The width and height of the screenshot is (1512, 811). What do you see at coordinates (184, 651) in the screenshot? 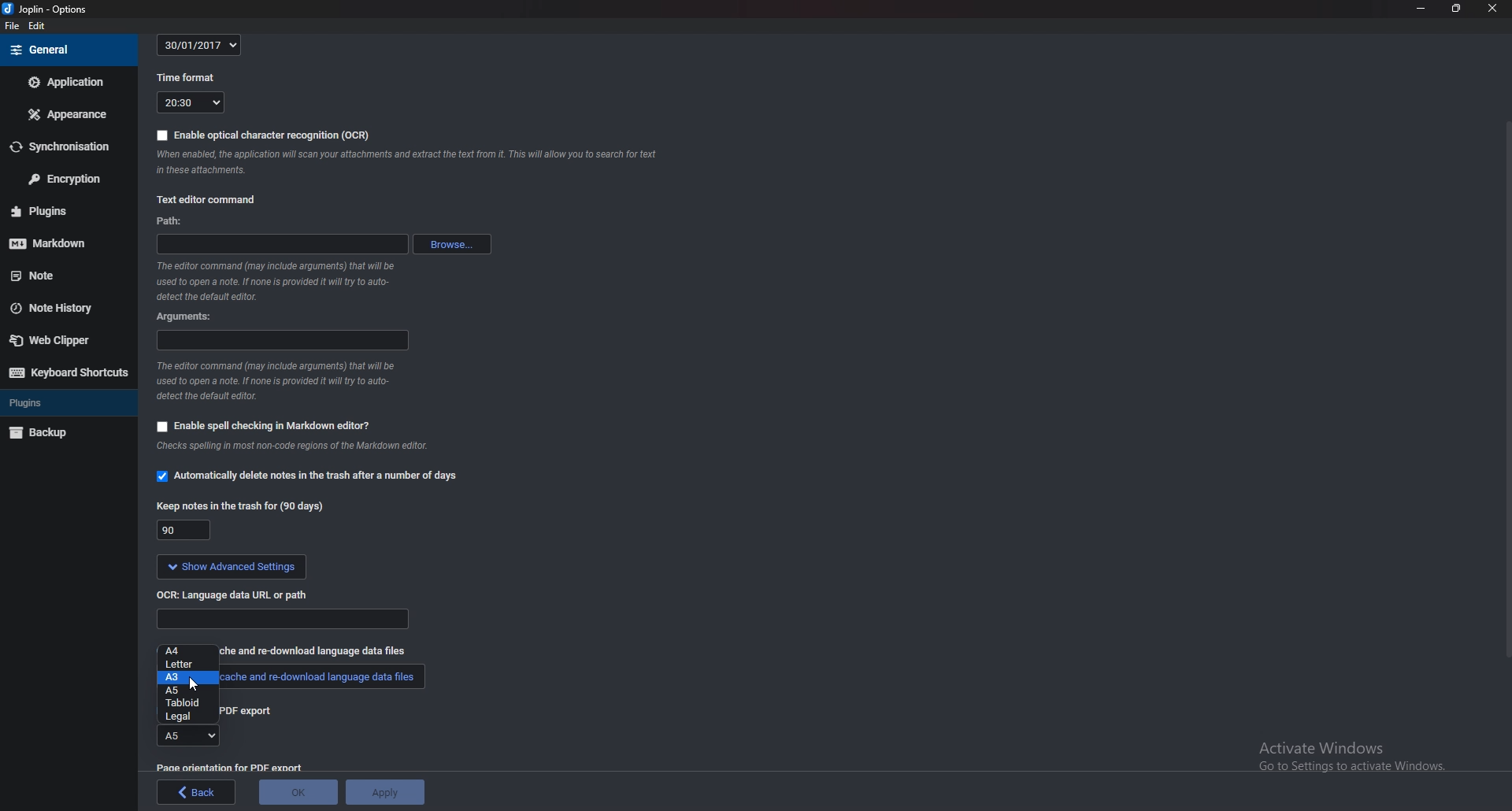
I see `A4` at bounding box center [184, 651].